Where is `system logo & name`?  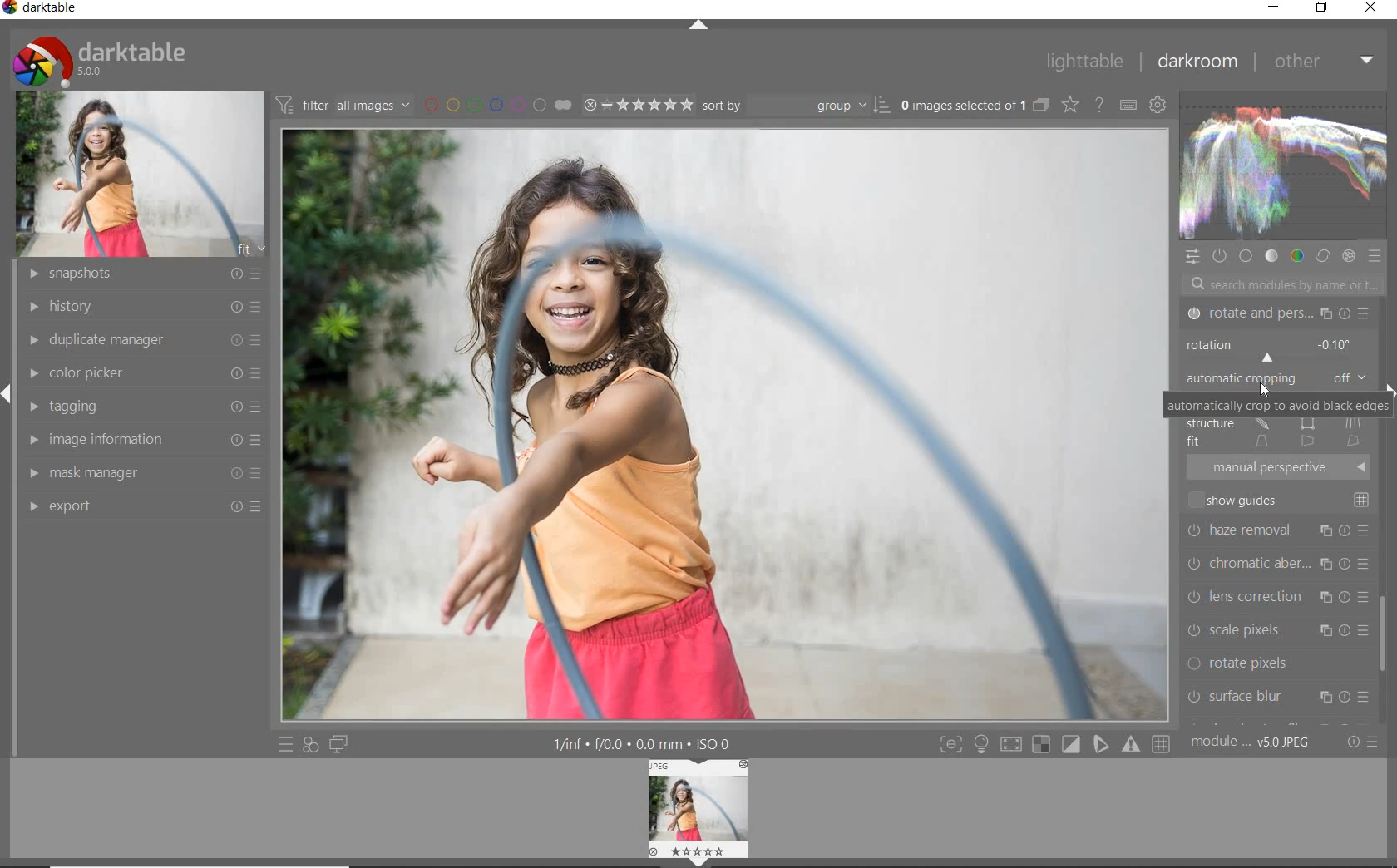
system logo & name is located at coordinates (103, 61).